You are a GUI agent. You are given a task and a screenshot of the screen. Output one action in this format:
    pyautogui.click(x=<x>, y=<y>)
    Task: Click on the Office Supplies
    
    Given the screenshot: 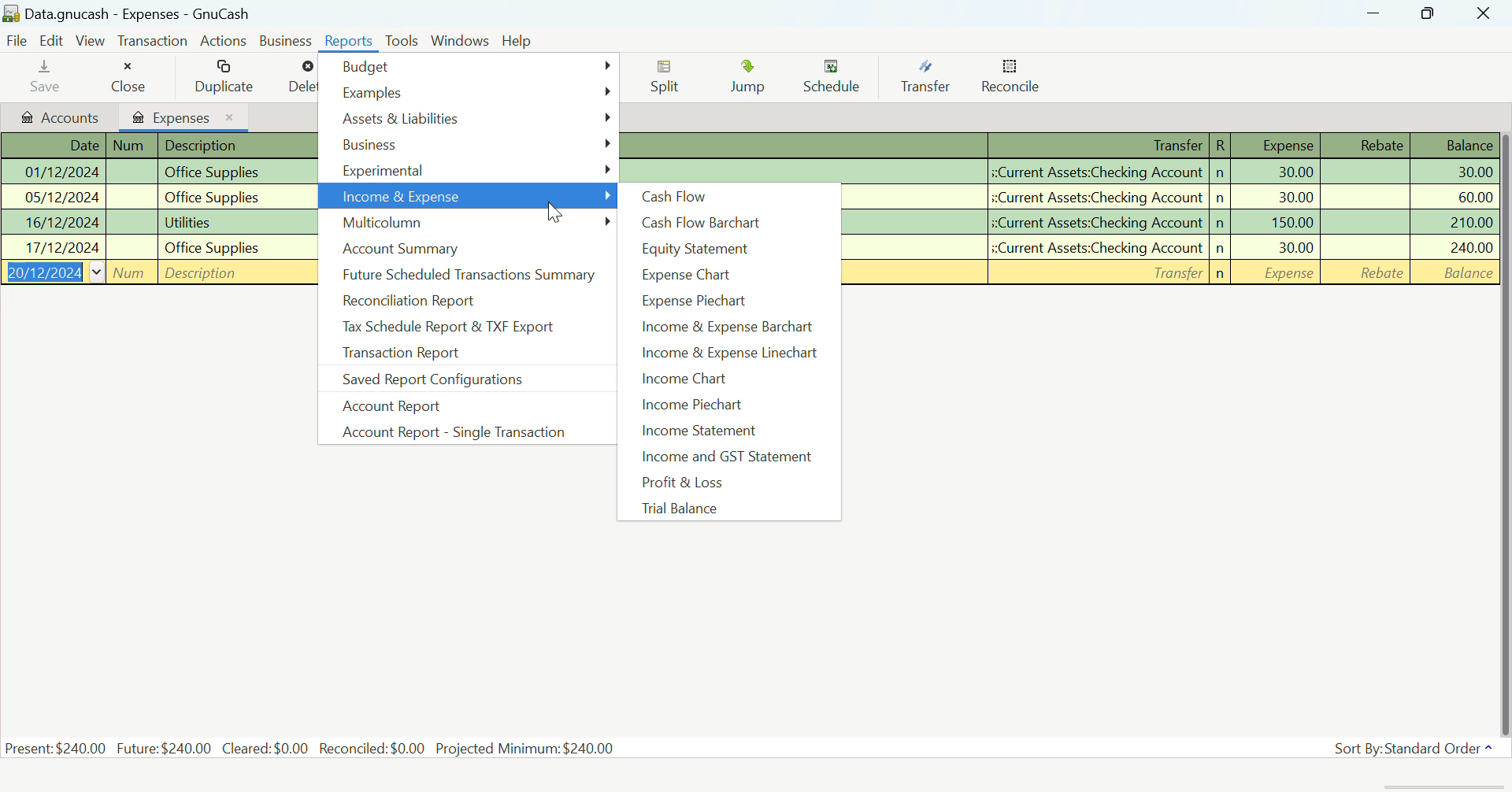 What is the action you would take?
    pyautogui.click(x=155, y=196)
    